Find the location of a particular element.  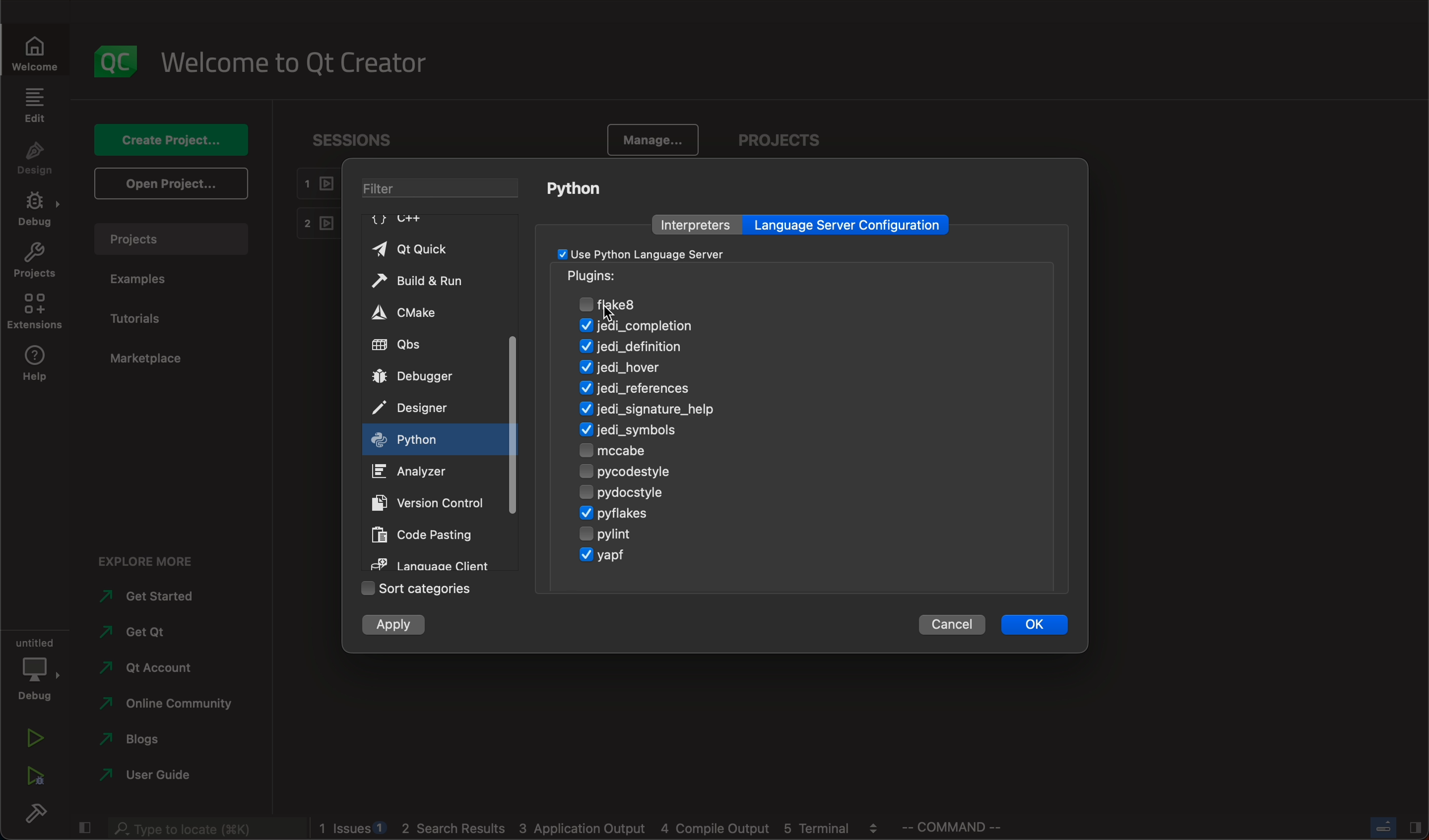

mccabe is located at coordinates (642, 451).